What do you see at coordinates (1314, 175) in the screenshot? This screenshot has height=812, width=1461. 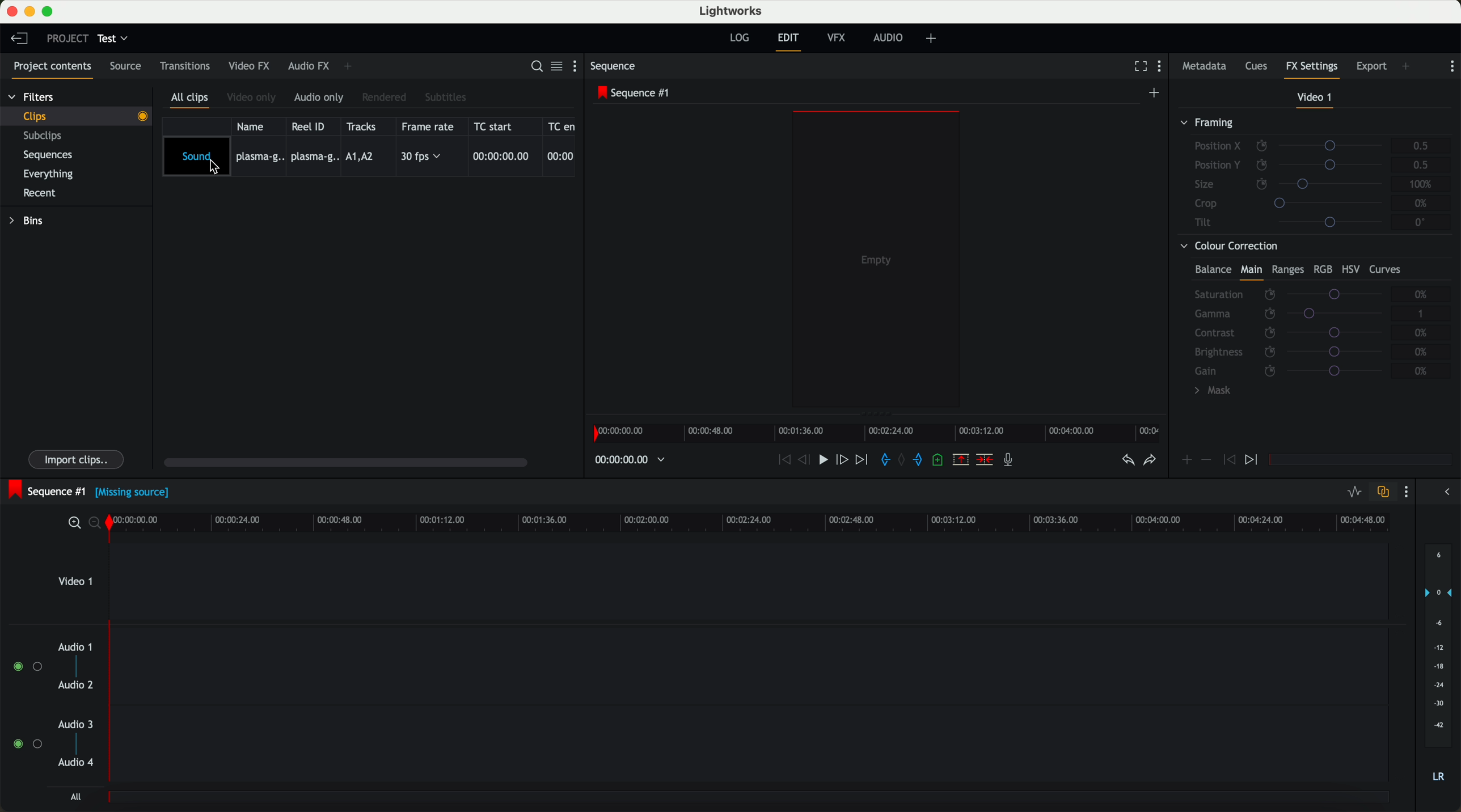 I see `framing tab` at bounding box center [1314, 175].